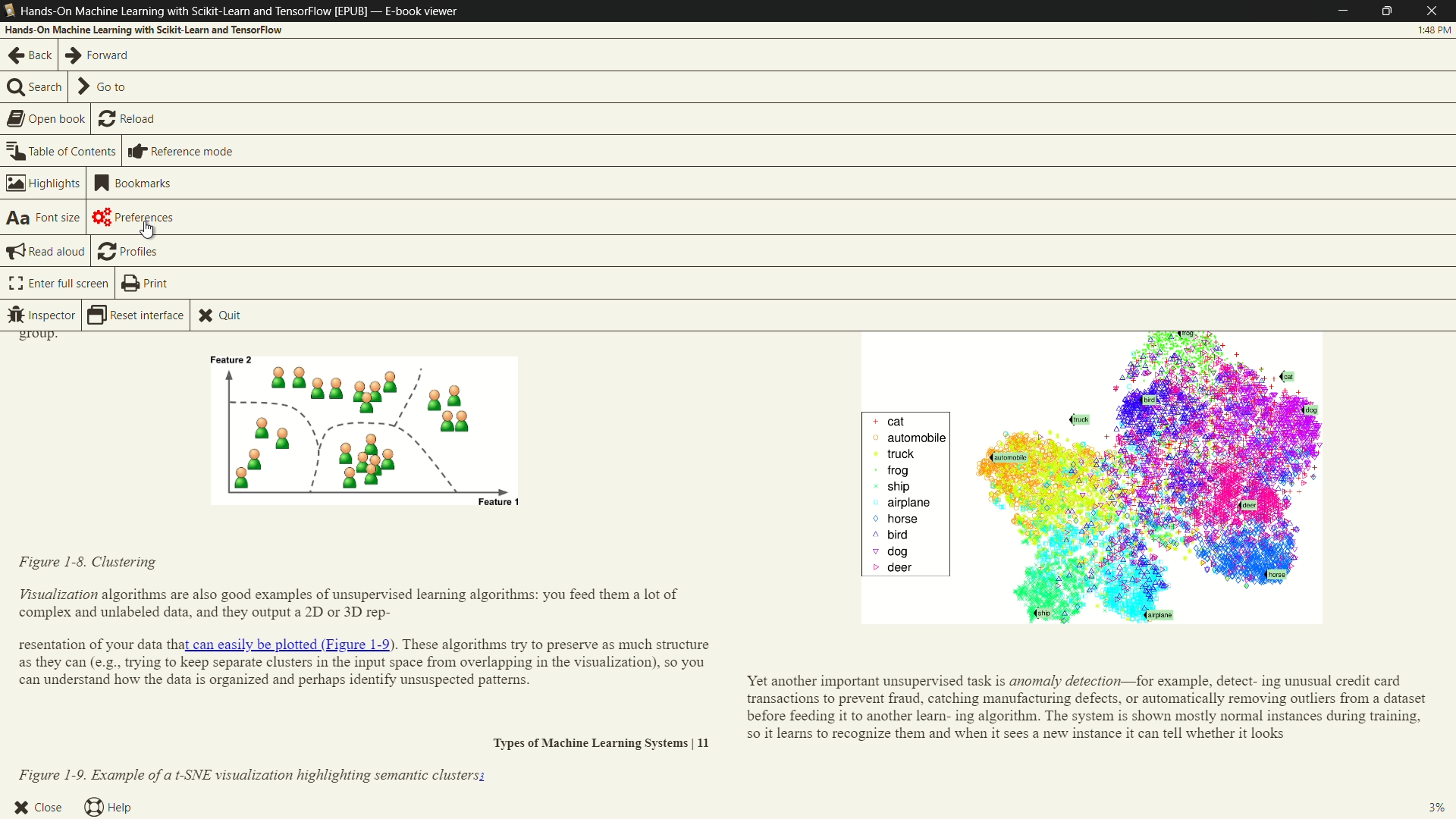  I want to click on profiles, so click(127, 250).